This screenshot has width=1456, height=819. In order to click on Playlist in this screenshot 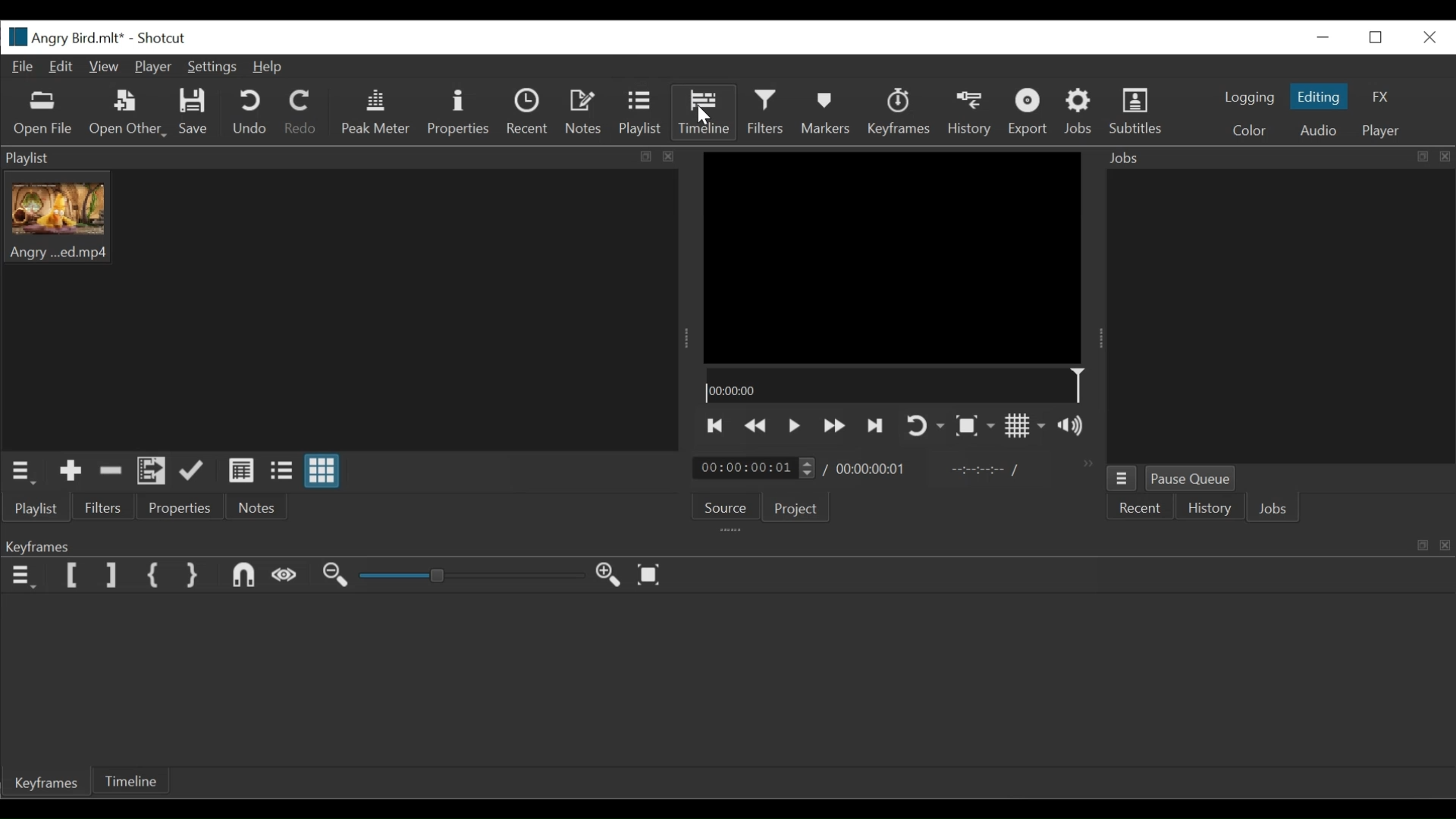, I will do `click(639, 114)`.